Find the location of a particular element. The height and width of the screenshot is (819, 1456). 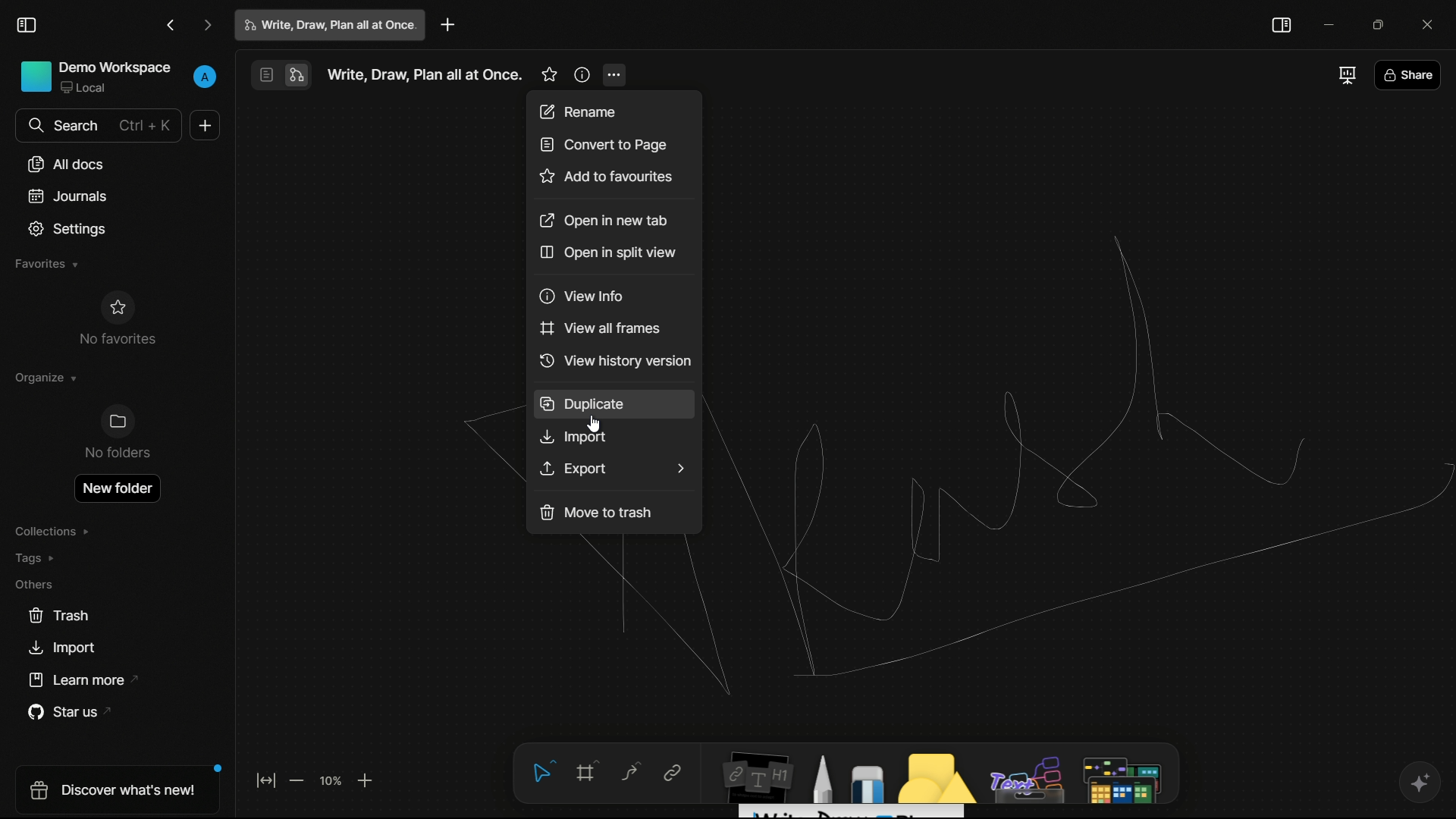

ai support is located at coordinates (1419, 784).